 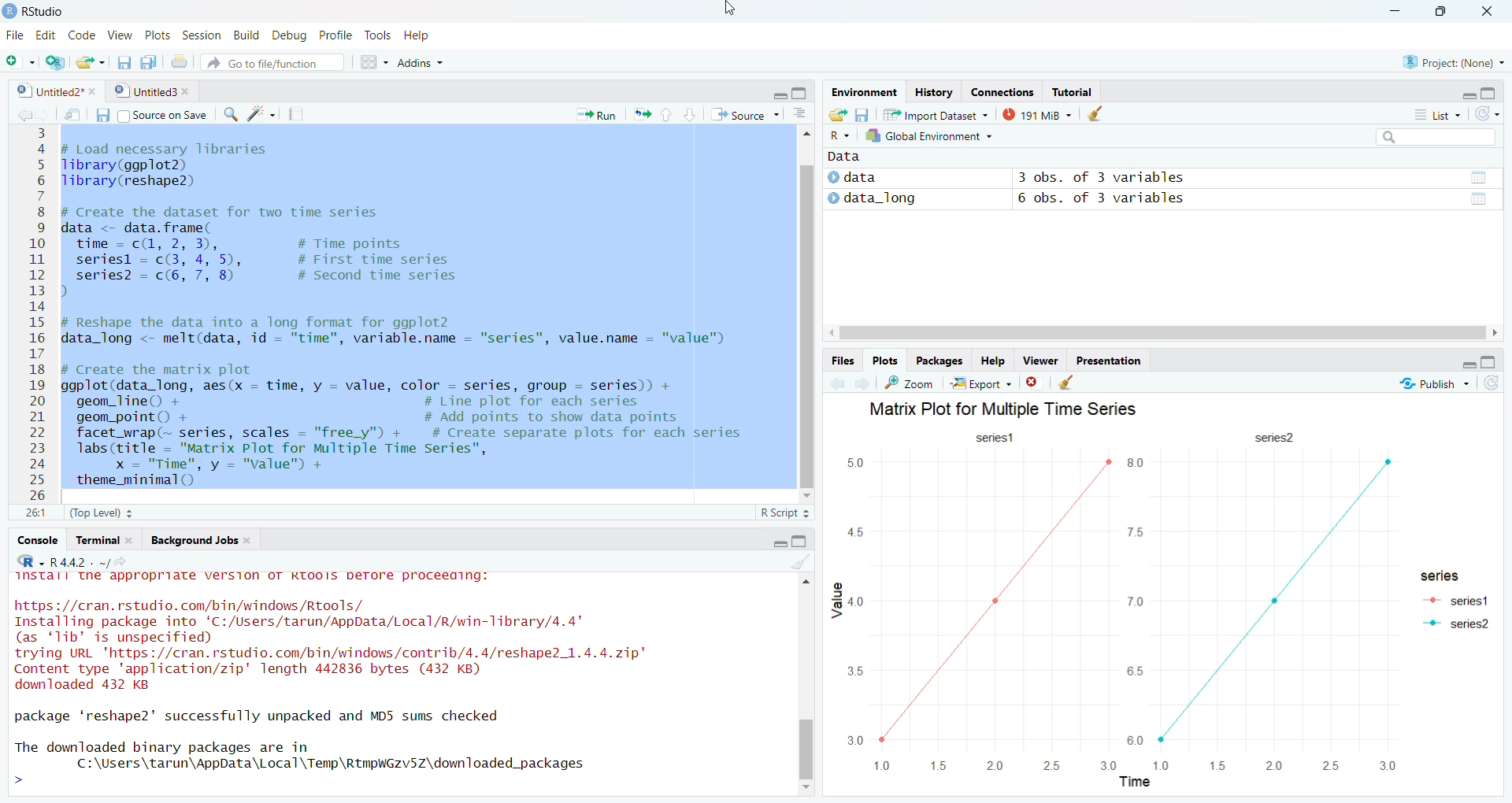 What do you see at coordinates (1010, 407) in the screenshot?
I see `Matrix Plot for Multiple Time Series` at bounding box center [1010, 407].